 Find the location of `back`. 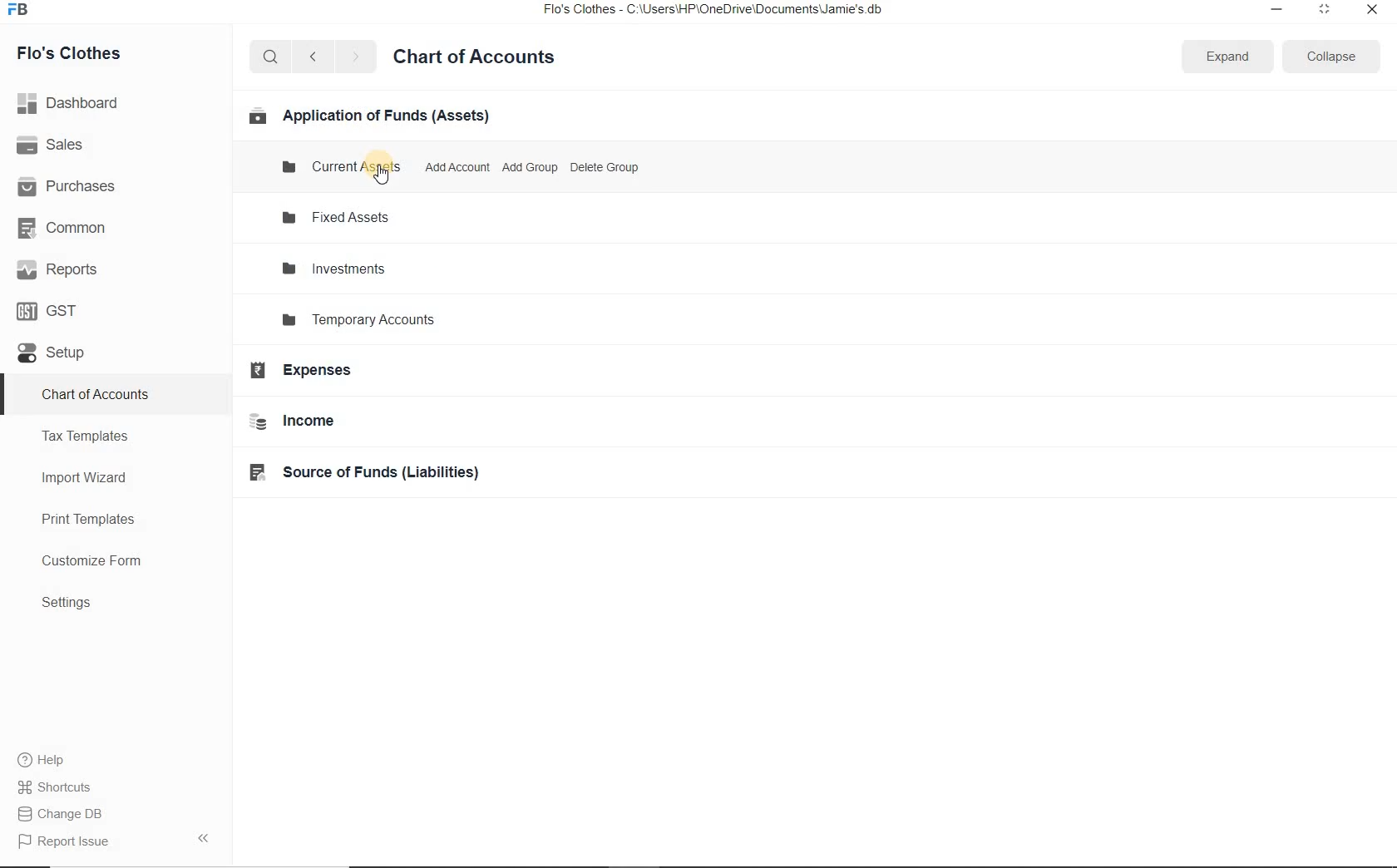

back is located at coordinates (313, 56).